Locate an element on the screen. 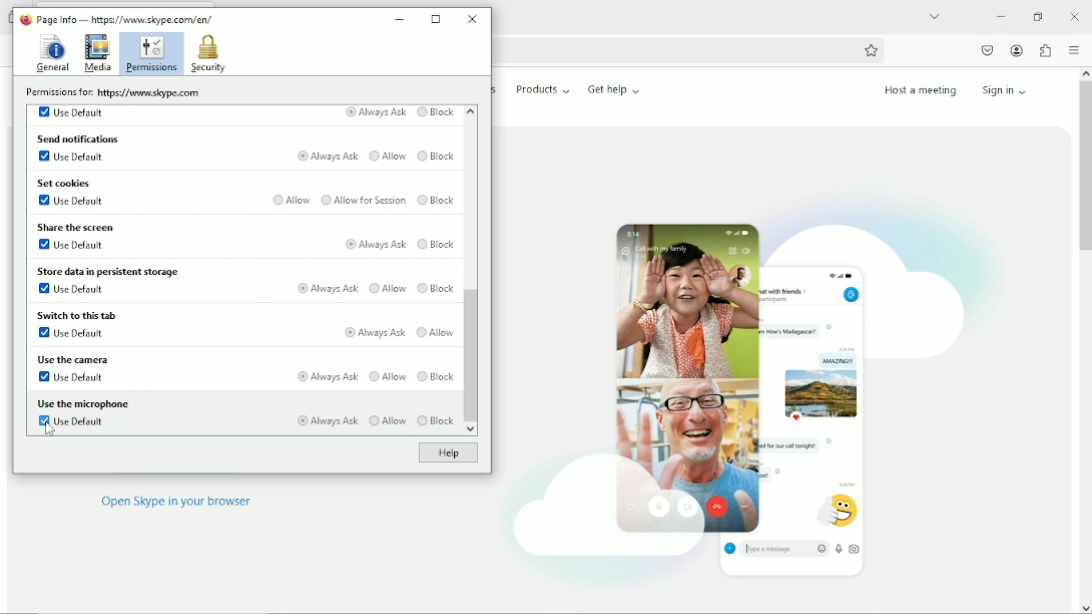 This screenshot has height=614, width=1092. Use default is located at coordinates (69, 333).